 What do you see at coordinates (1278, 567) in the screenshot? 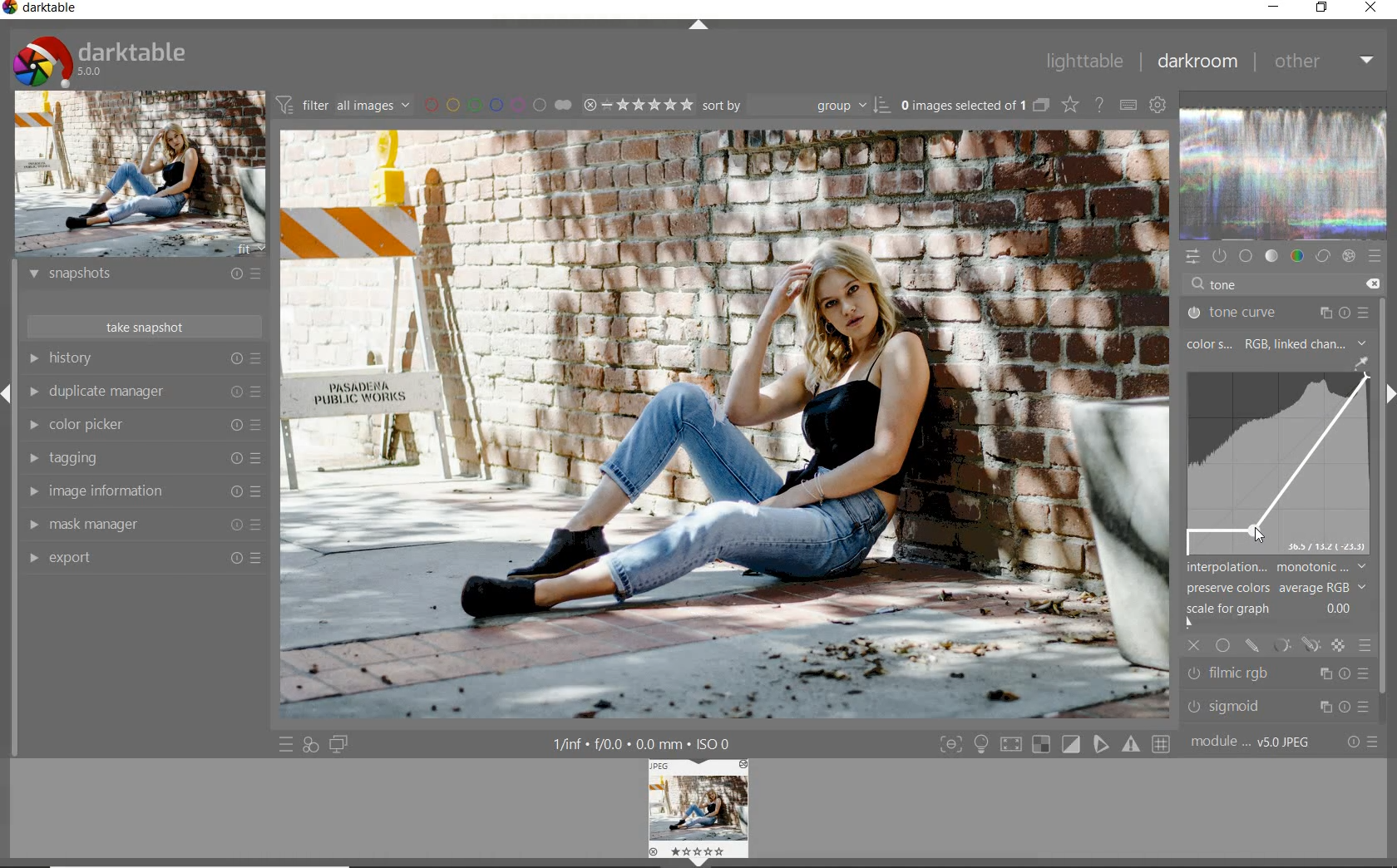
I see `interpolation` at bounding box center [1278, 567].